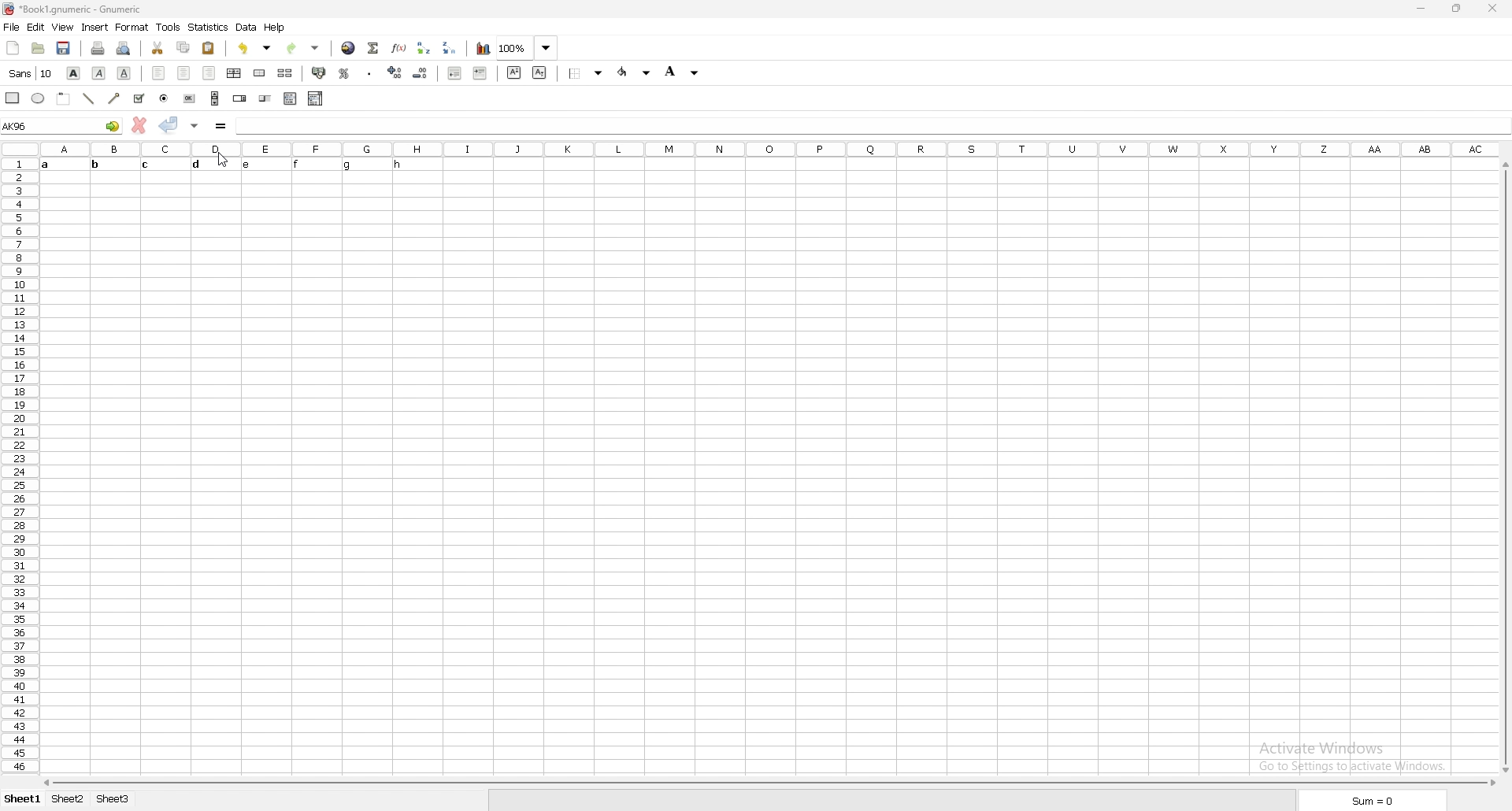  What do you see at coordinates (345, 73) in the screenshot?
I see `percentage` at bounding box center [345, 73].